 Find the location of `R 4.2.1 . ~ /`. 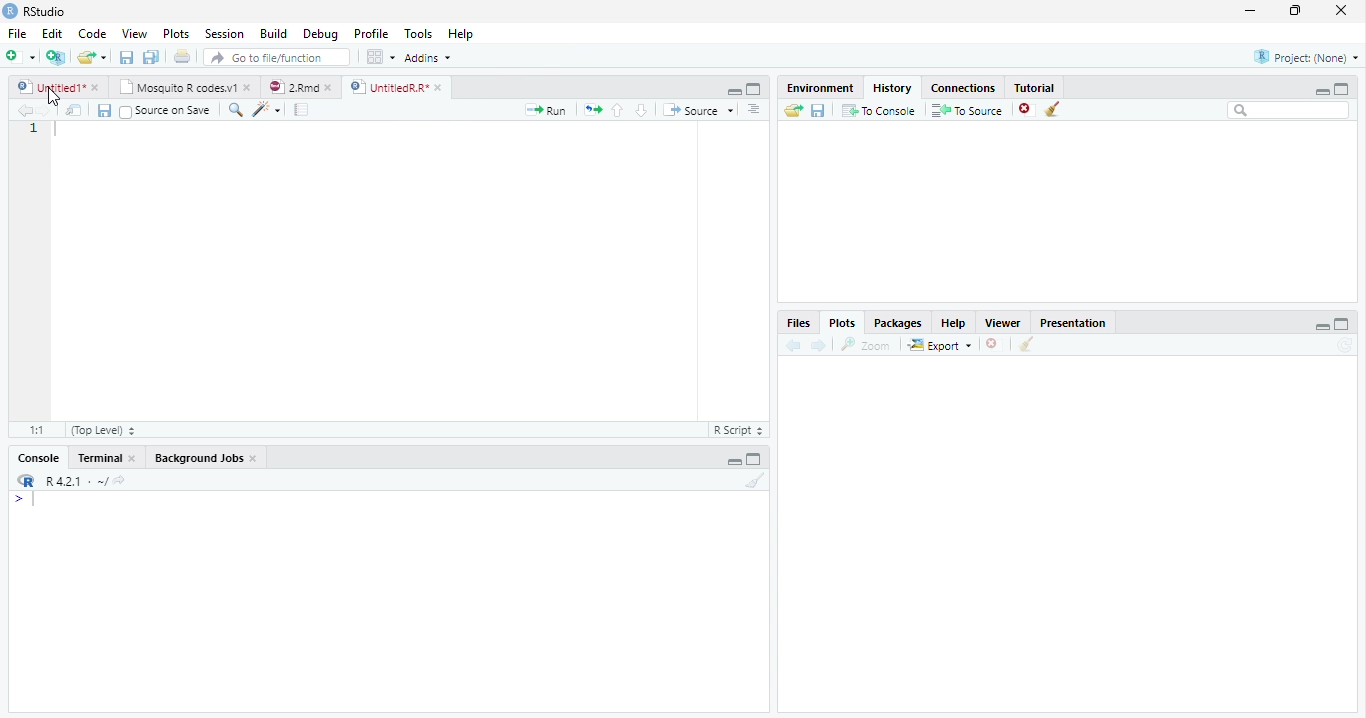

R 4.2.1 . ~ / is located at coordinates (76, 482).